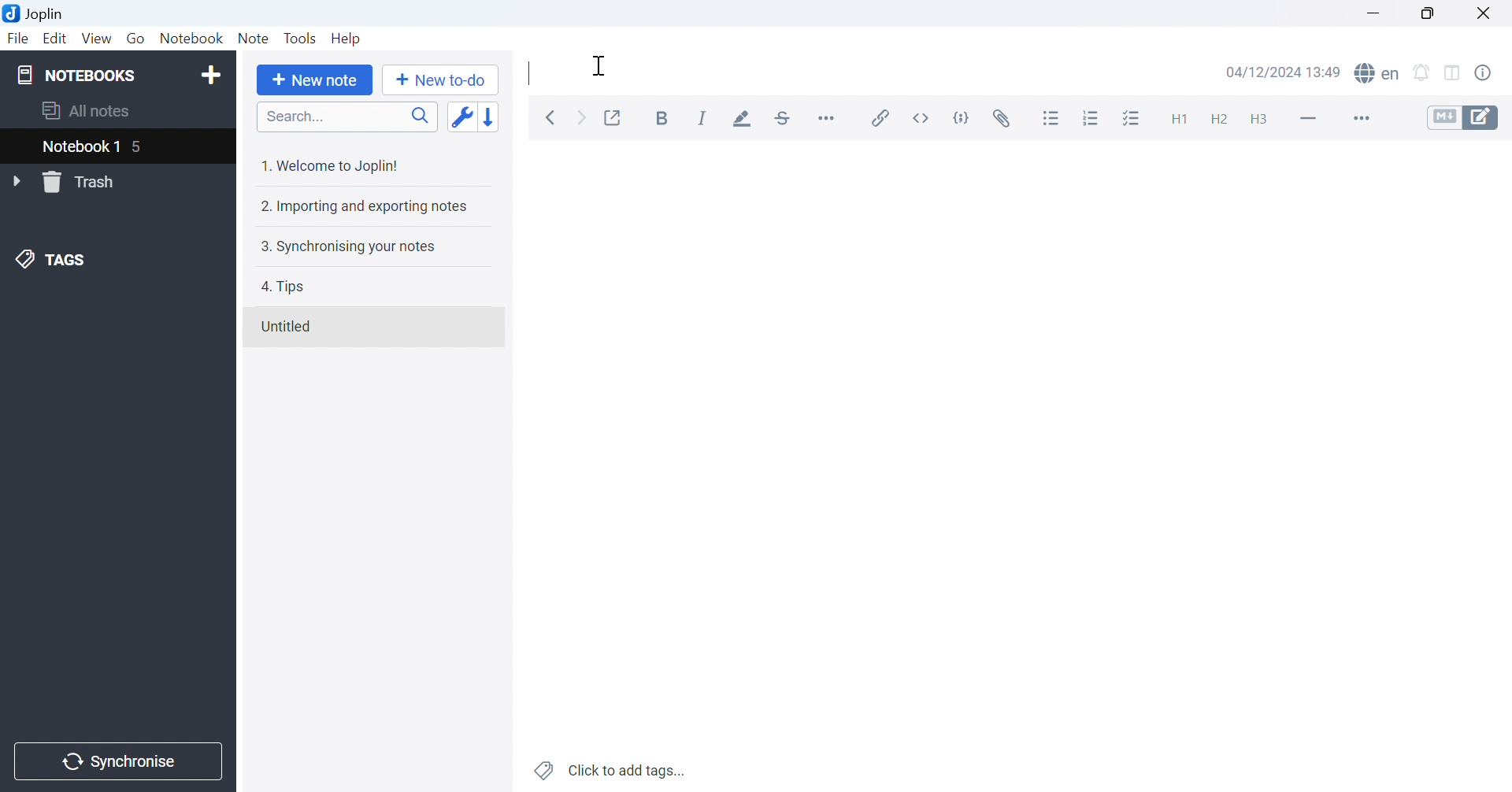 The image size is (1512, 792). What do you see at coordinates (965, 117) in the screenshot?
I see `Code` at bounding box center [965, 117].